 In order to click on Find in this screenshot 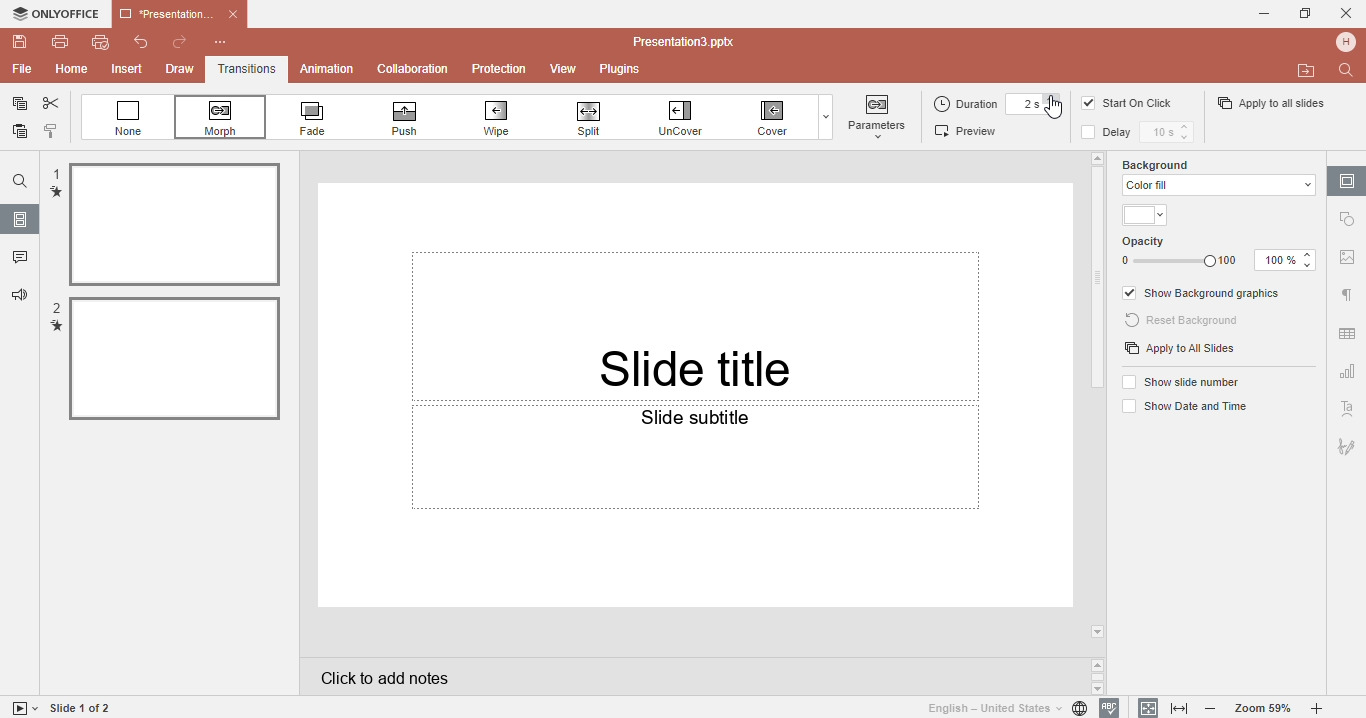, I will do `click(1349, 70)`.